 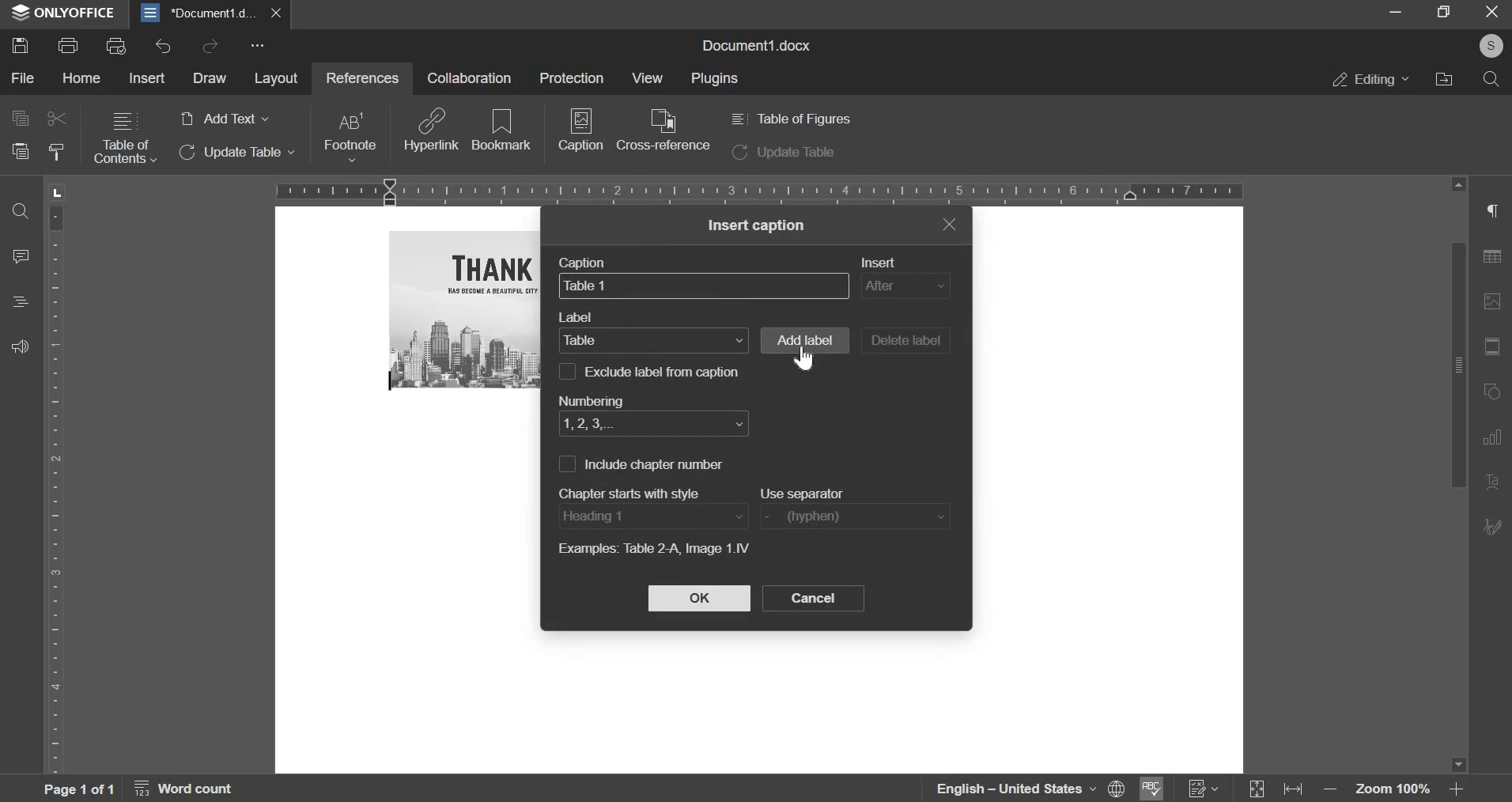 What do you see at coordinates (360, 77) in the screenshot?
I see `references` at bounding box center [360, 77].